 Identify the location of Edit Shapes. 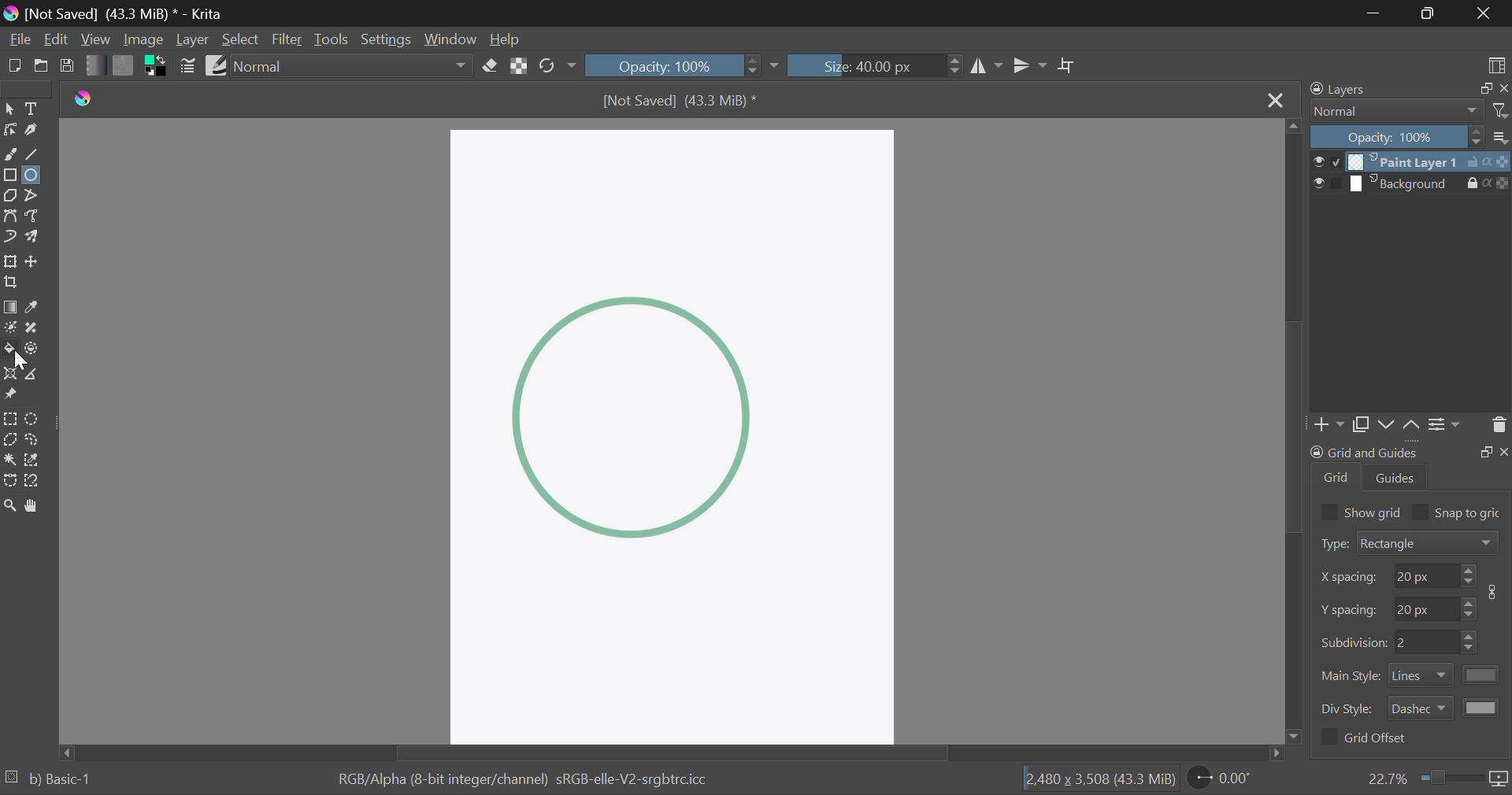
(9, 129).